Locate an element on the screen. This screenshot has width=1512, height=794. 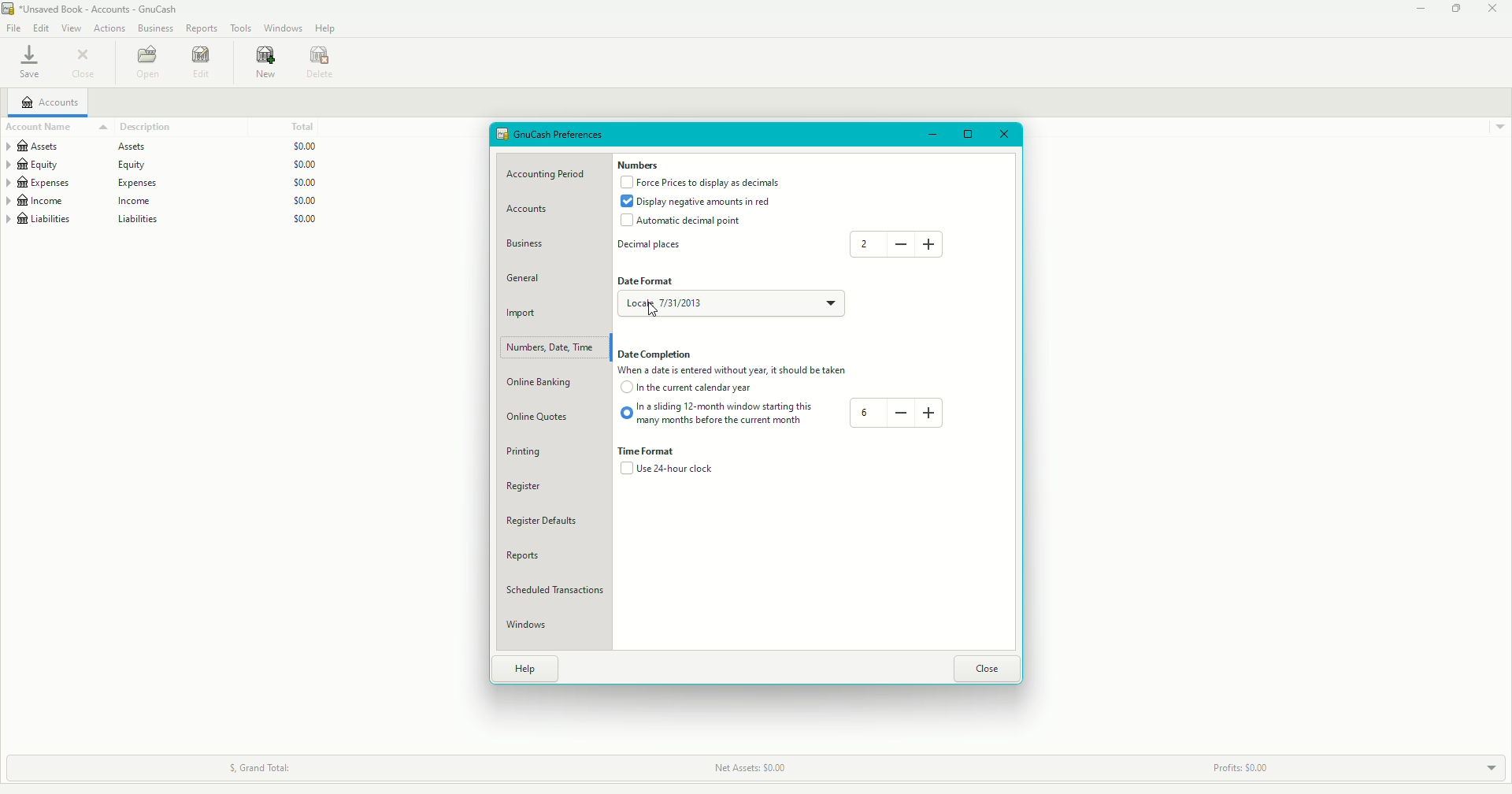
logo is located at coordinates (9, 9).